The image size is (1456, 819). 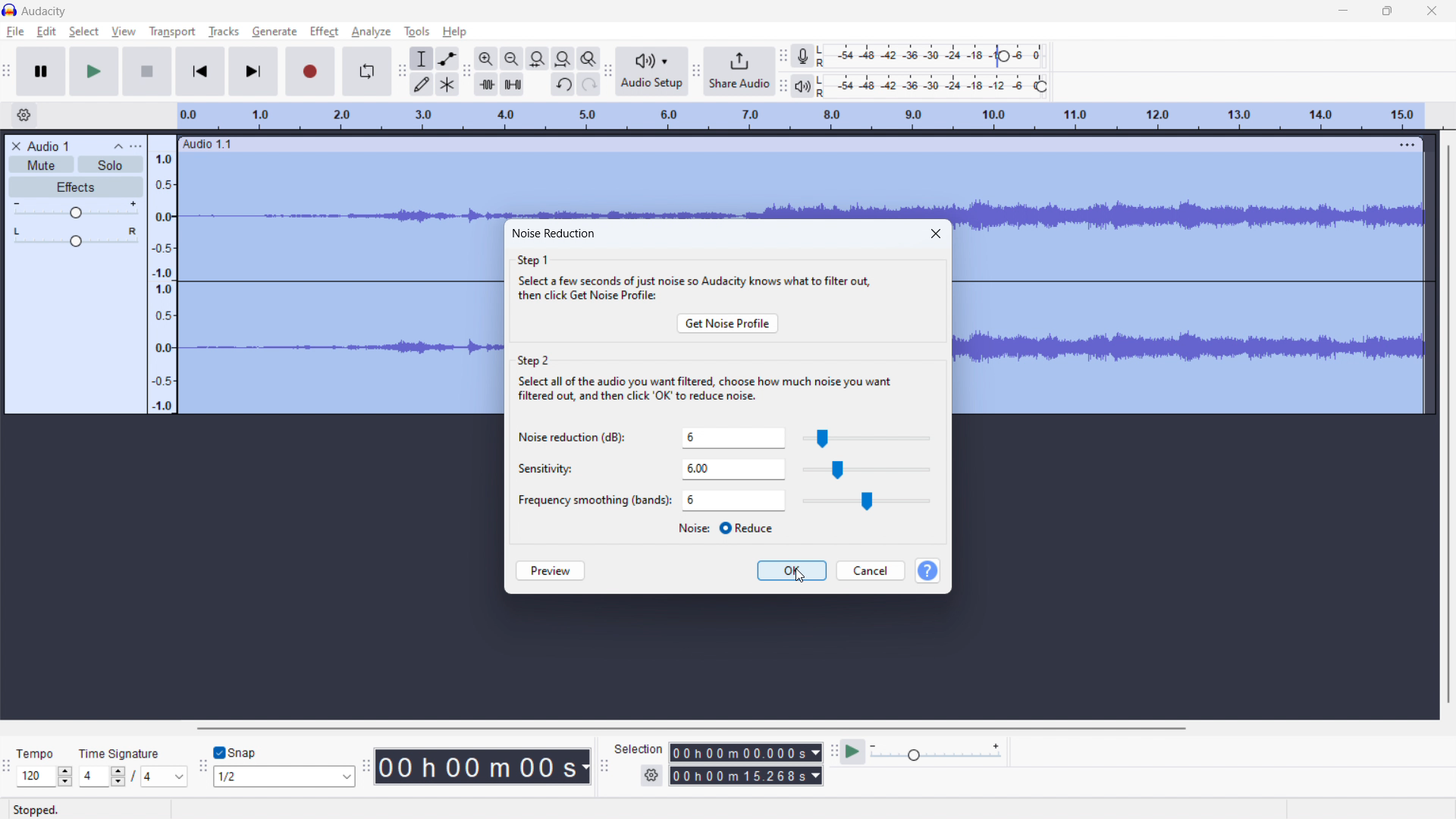 What do you see at coordinates (639, 749) in the screenshot?
I see `Selection` at bounding box center [639, 749].